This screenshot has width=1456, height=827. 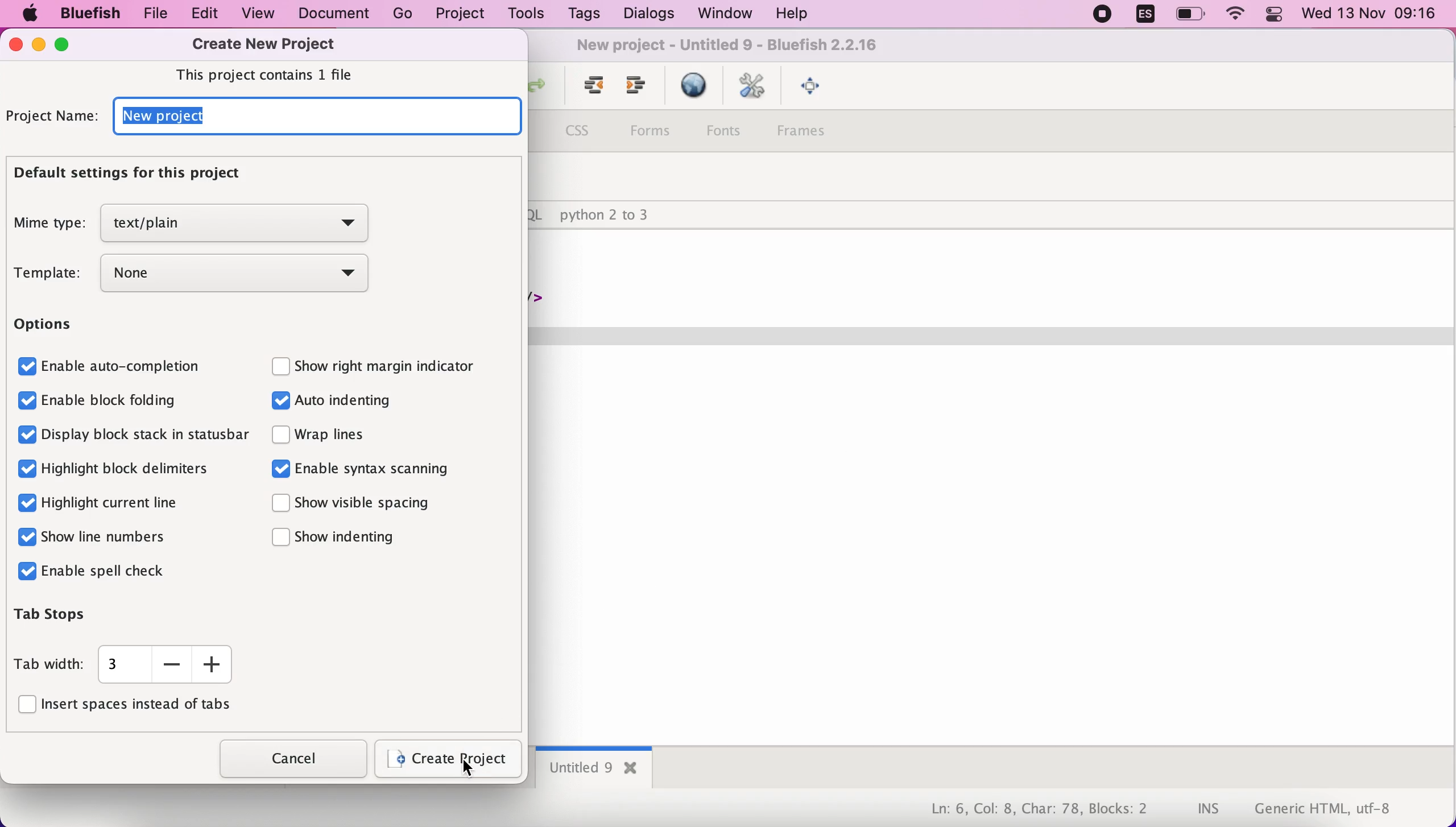 What do you see at coordinates (117, 468) in the screenshot?
I see `highlight block delimiters` at bounding box center [117, 468].